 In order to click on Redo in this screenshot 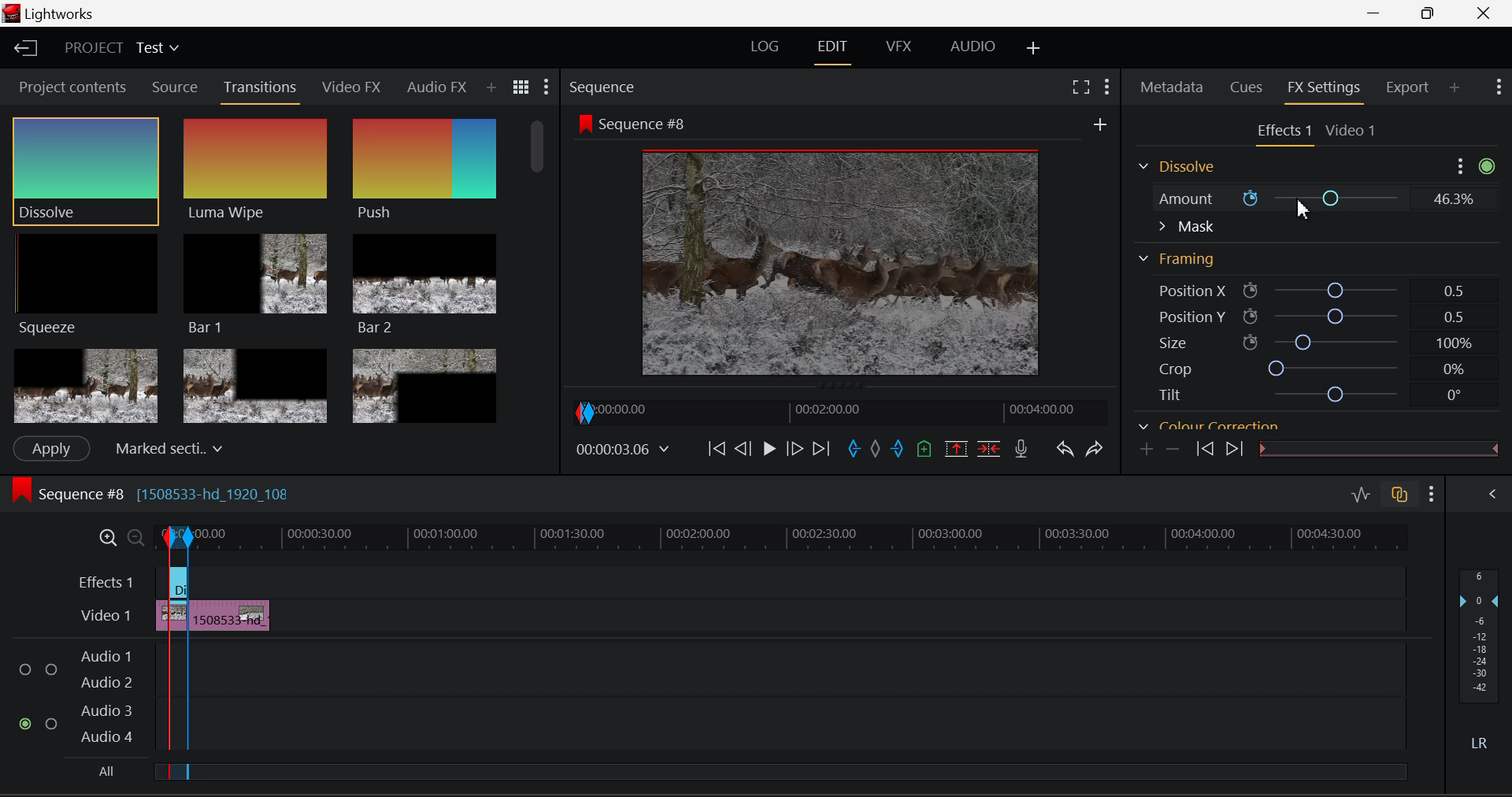, I will do `click(1098, 450)`.